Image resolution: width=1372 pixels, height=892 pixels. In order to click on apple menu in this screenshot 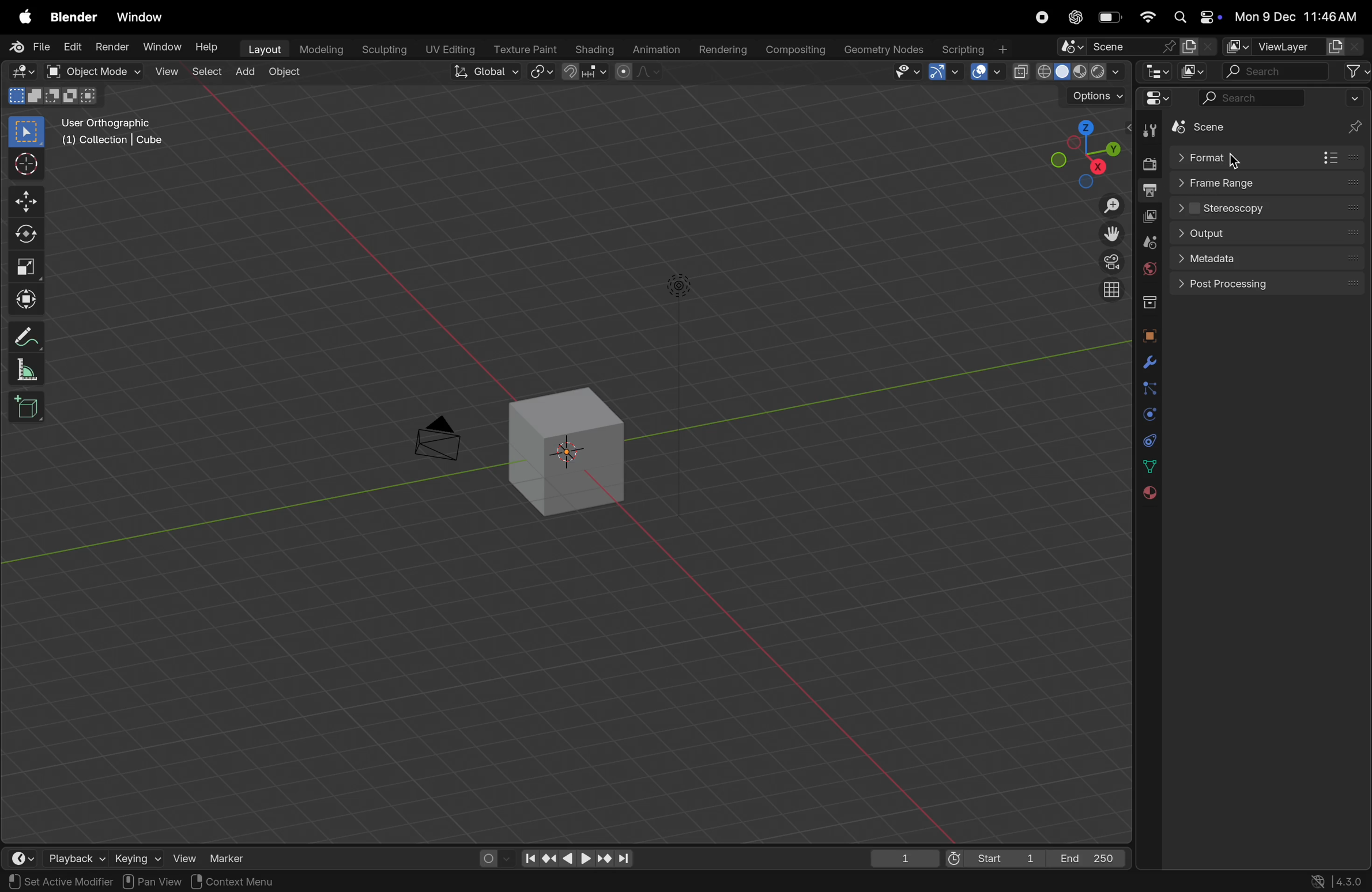, I will do `click(24, 17)`.